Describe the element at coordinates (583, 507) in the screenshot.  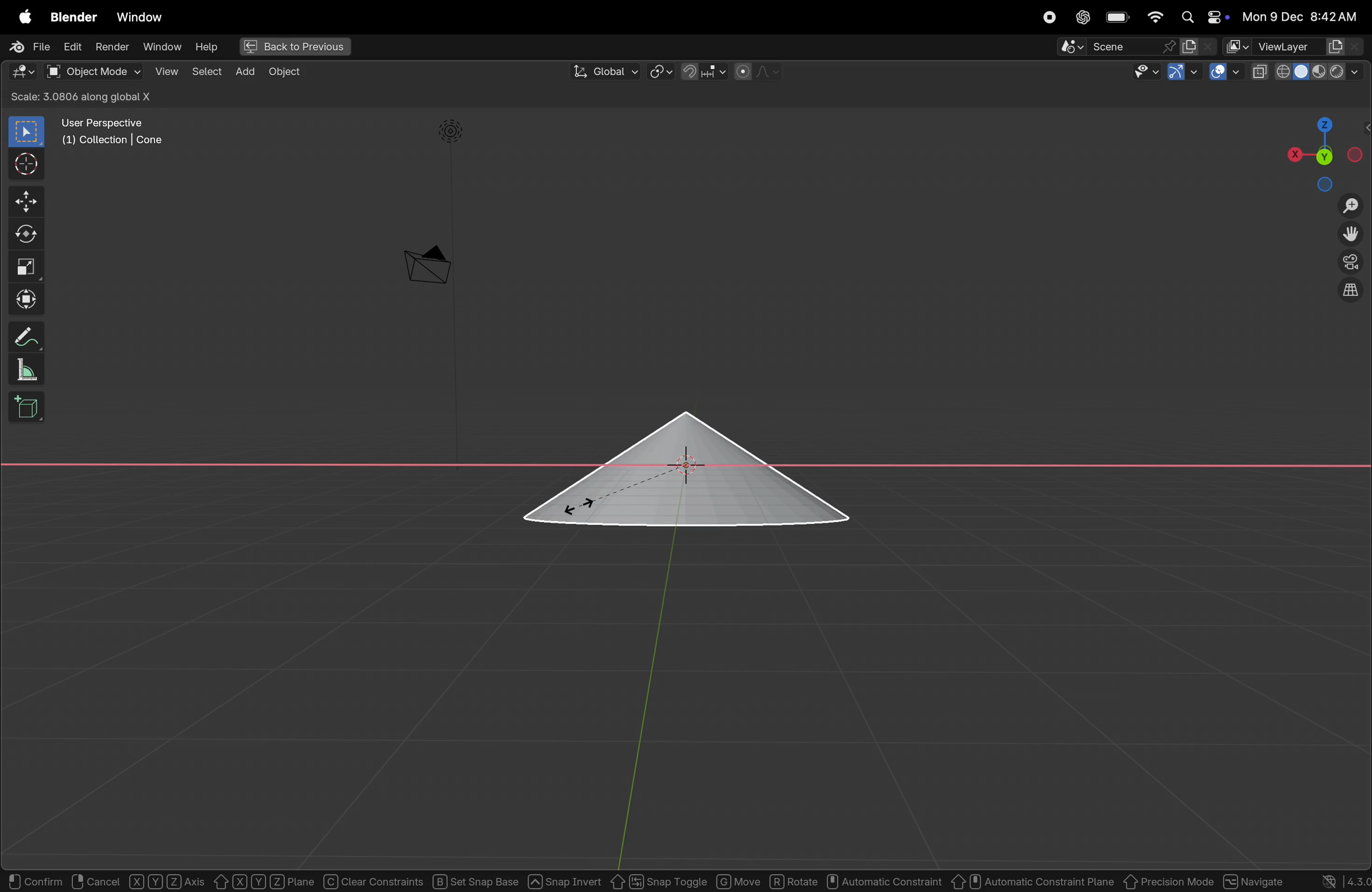
I see `cursor` at that location.